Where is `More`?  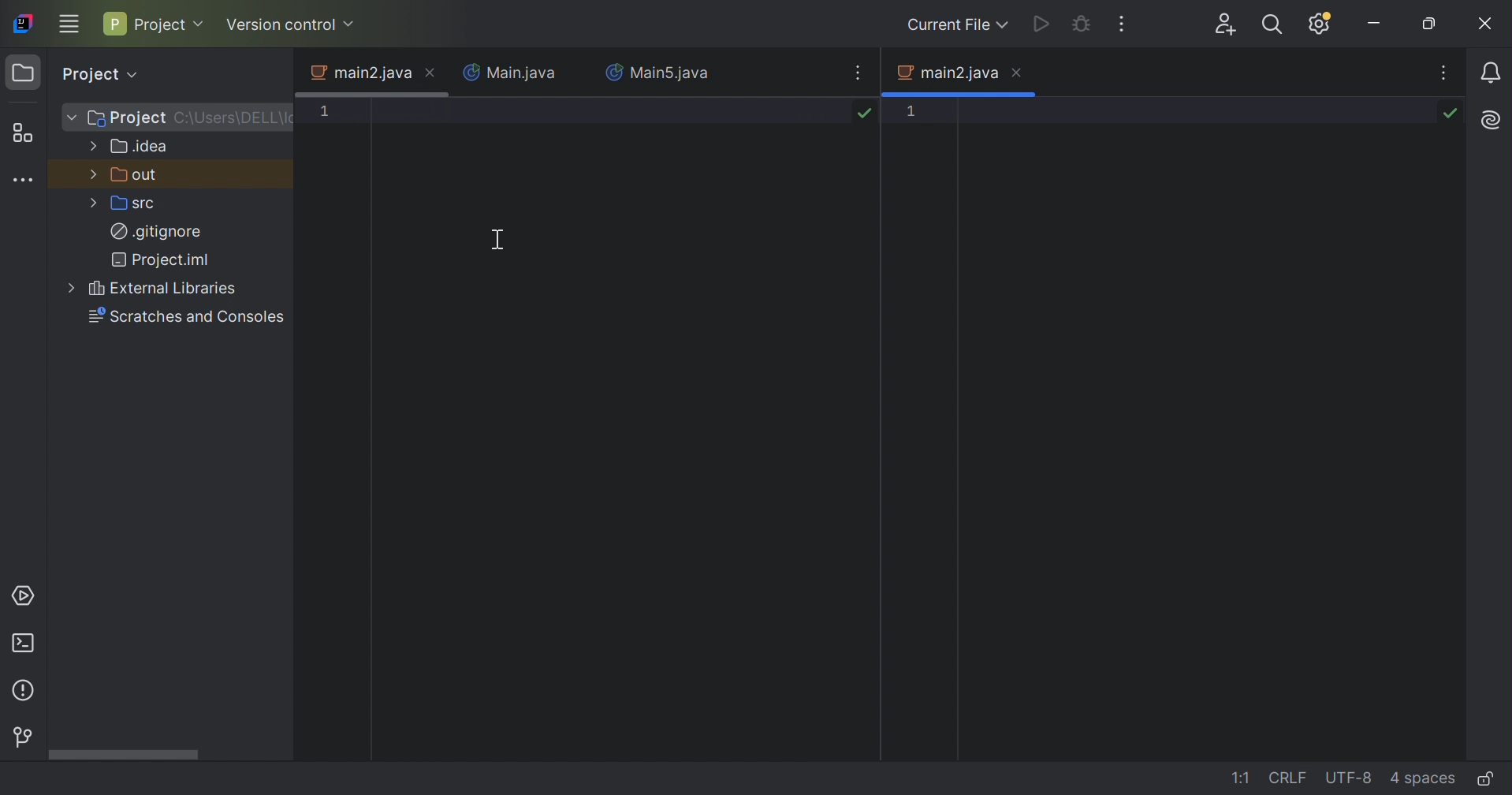 More is located at coordinates (94, 173).